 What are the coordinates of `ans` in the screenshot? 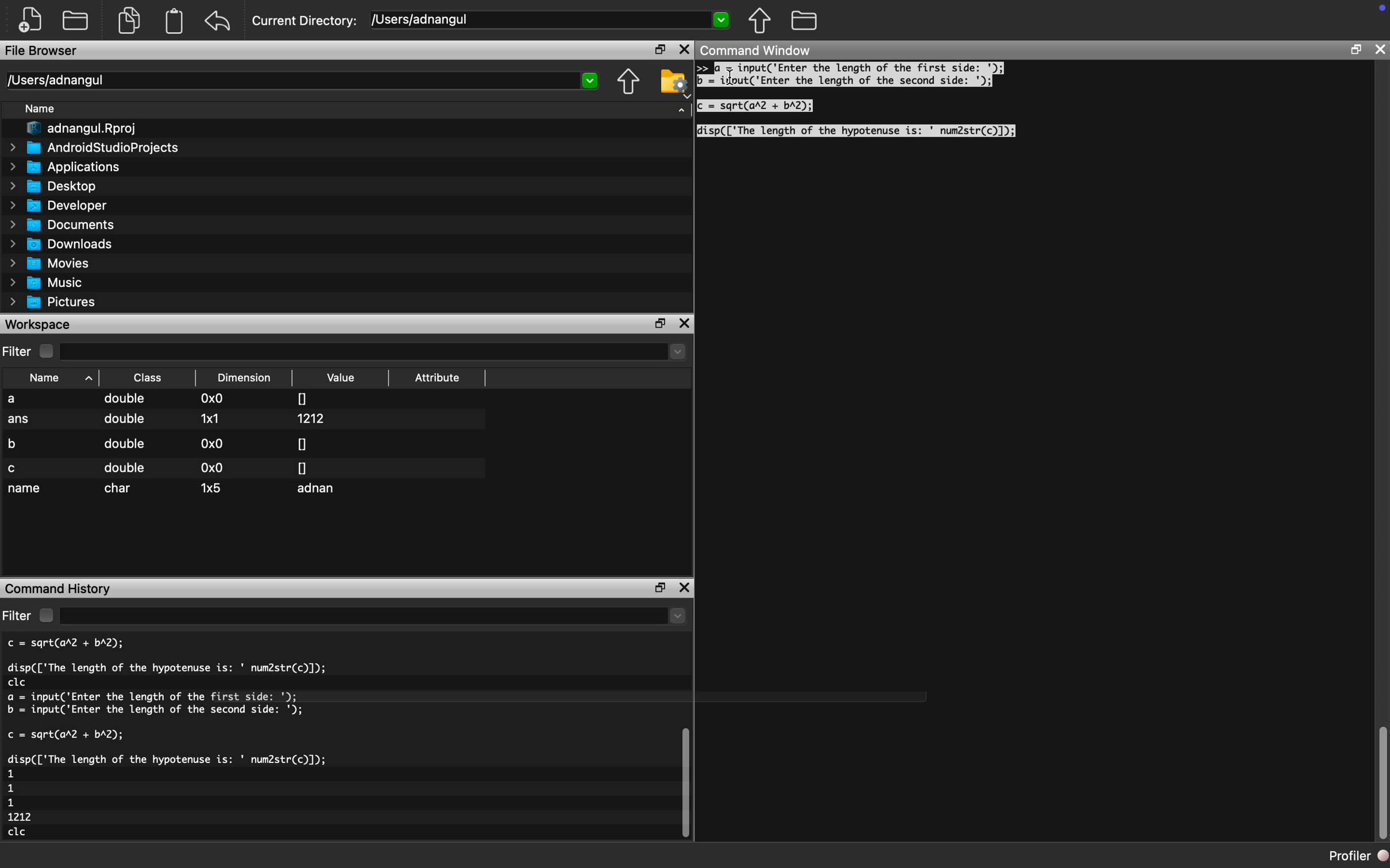 It's located at (20, 421).